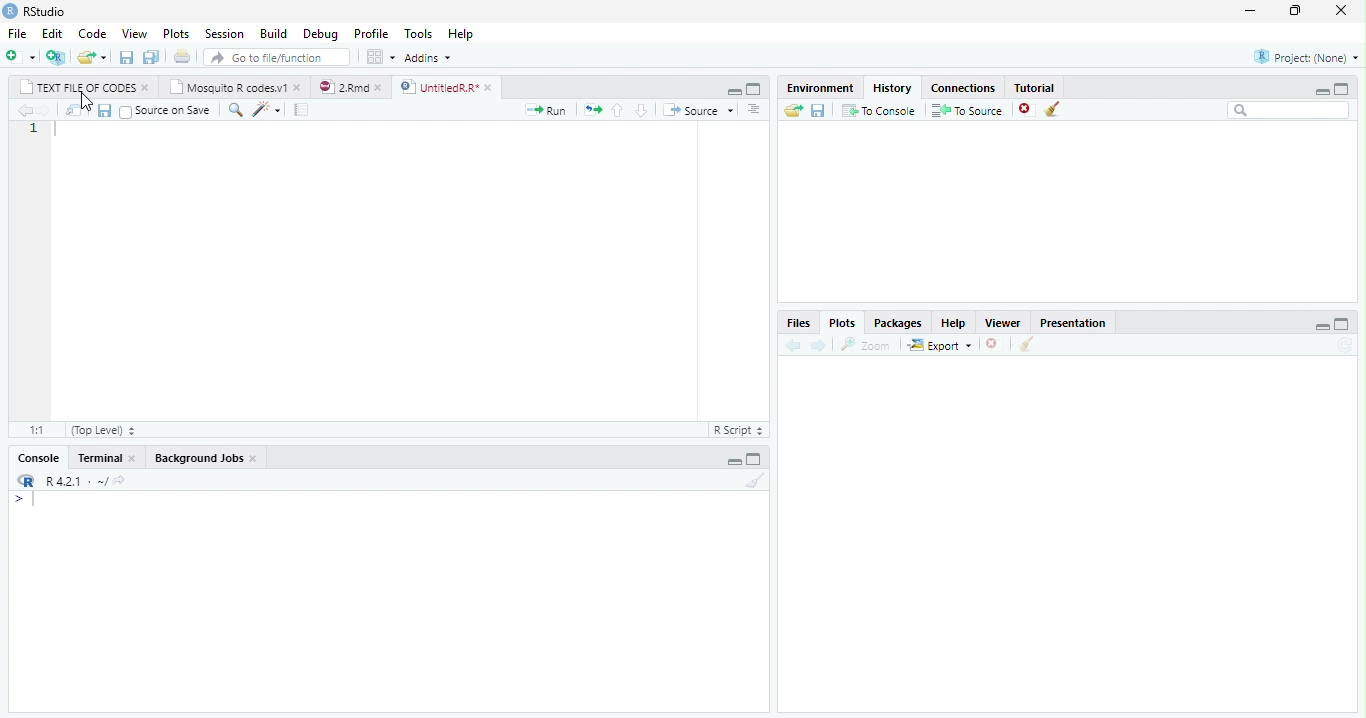 This screenshot has width=1366, height=718. Describe the element at coordinates (642, 110) in the screenshot. I see `go to next section` at that location.